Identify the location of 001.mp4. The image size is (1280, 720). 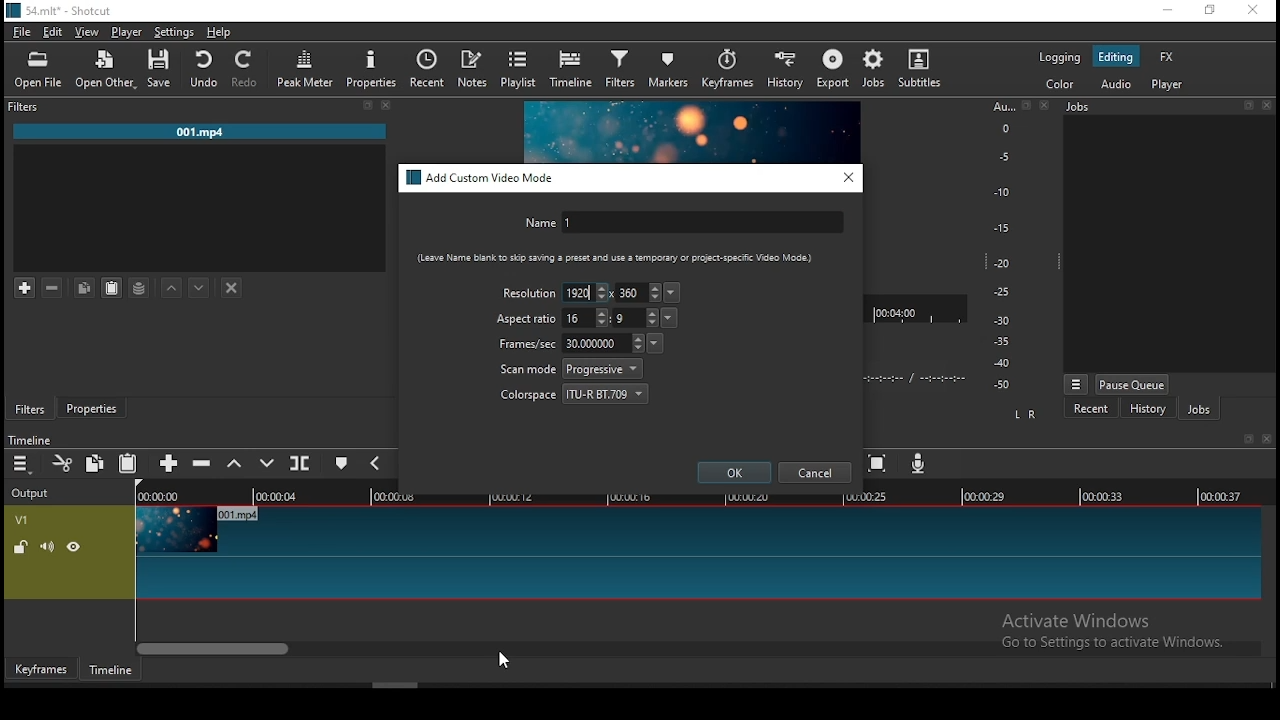
(200, 133).